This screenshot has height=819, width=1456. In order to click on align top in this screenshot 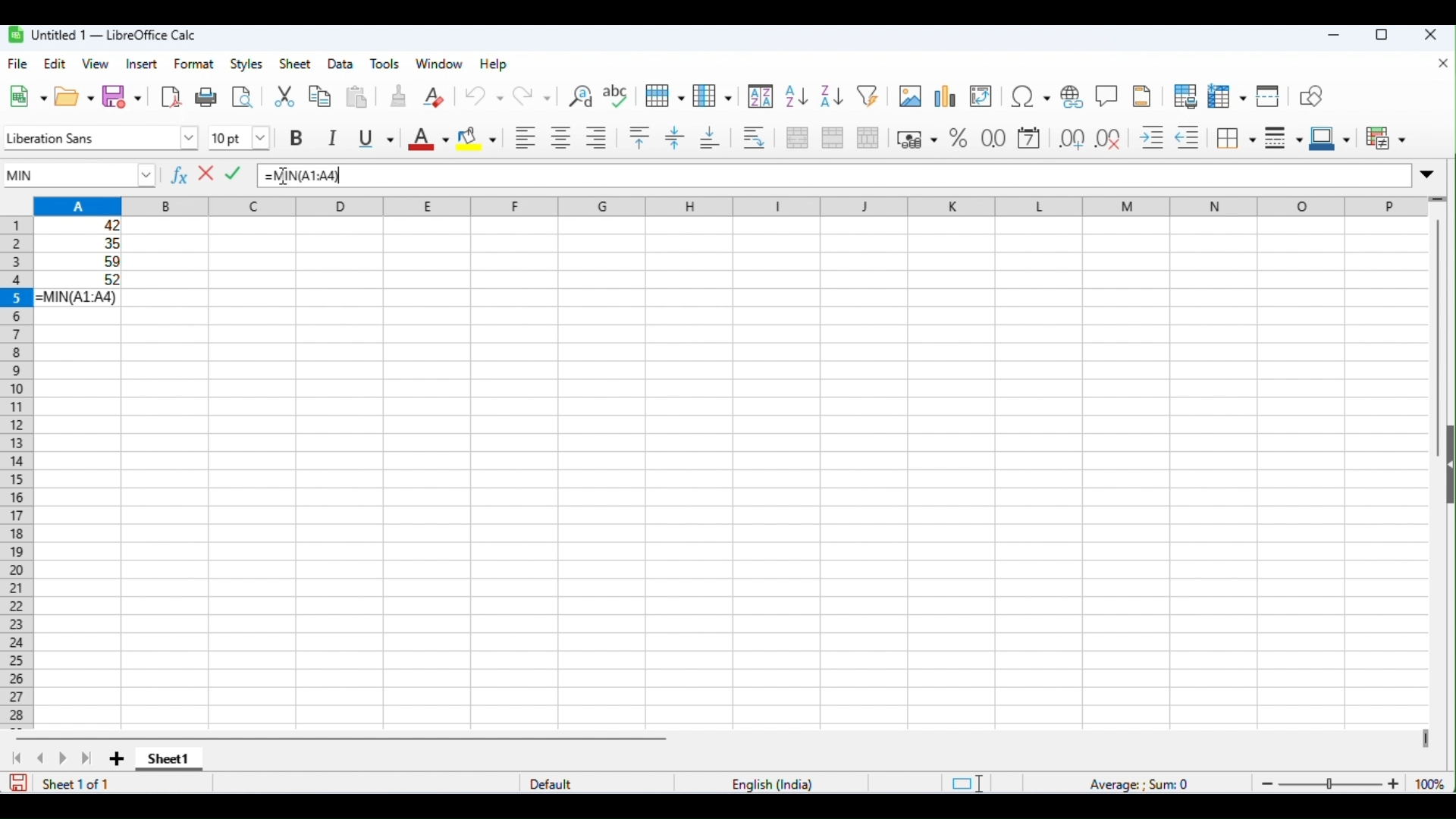, I will do `click(642, 137)`.